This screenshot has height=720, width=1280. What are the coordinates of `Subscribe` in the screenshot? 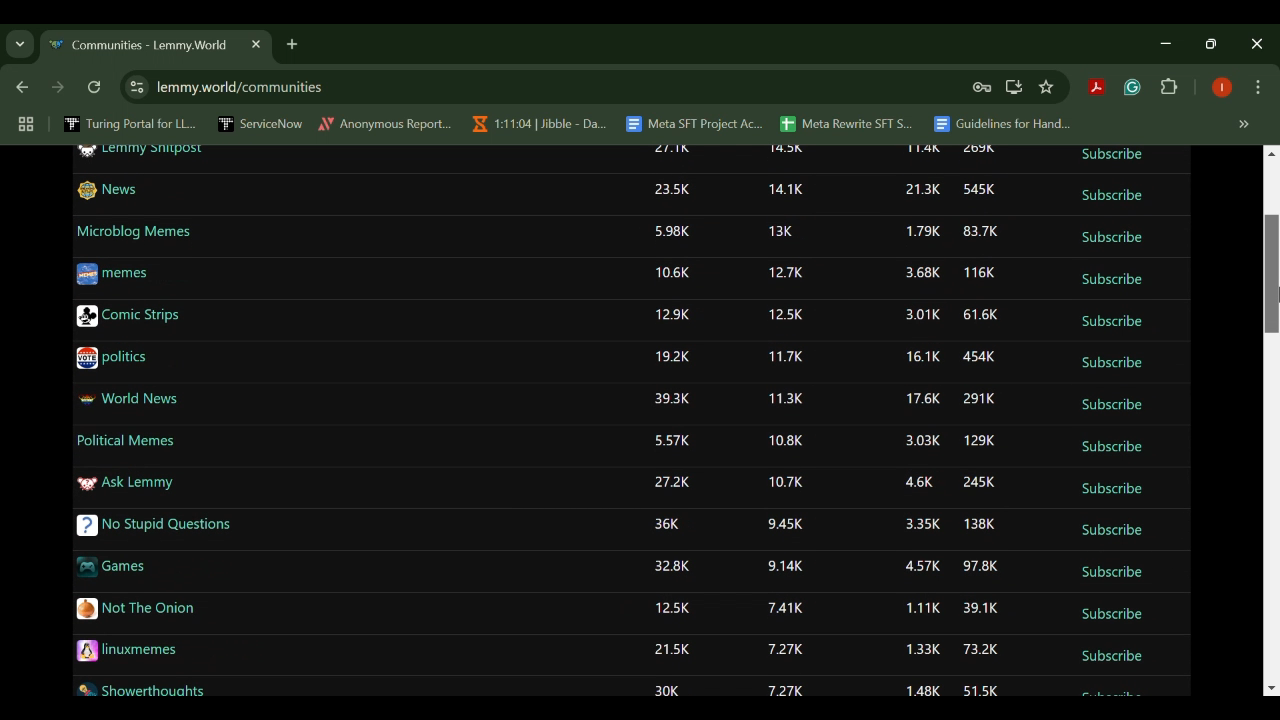 It's located at (1112, 321).